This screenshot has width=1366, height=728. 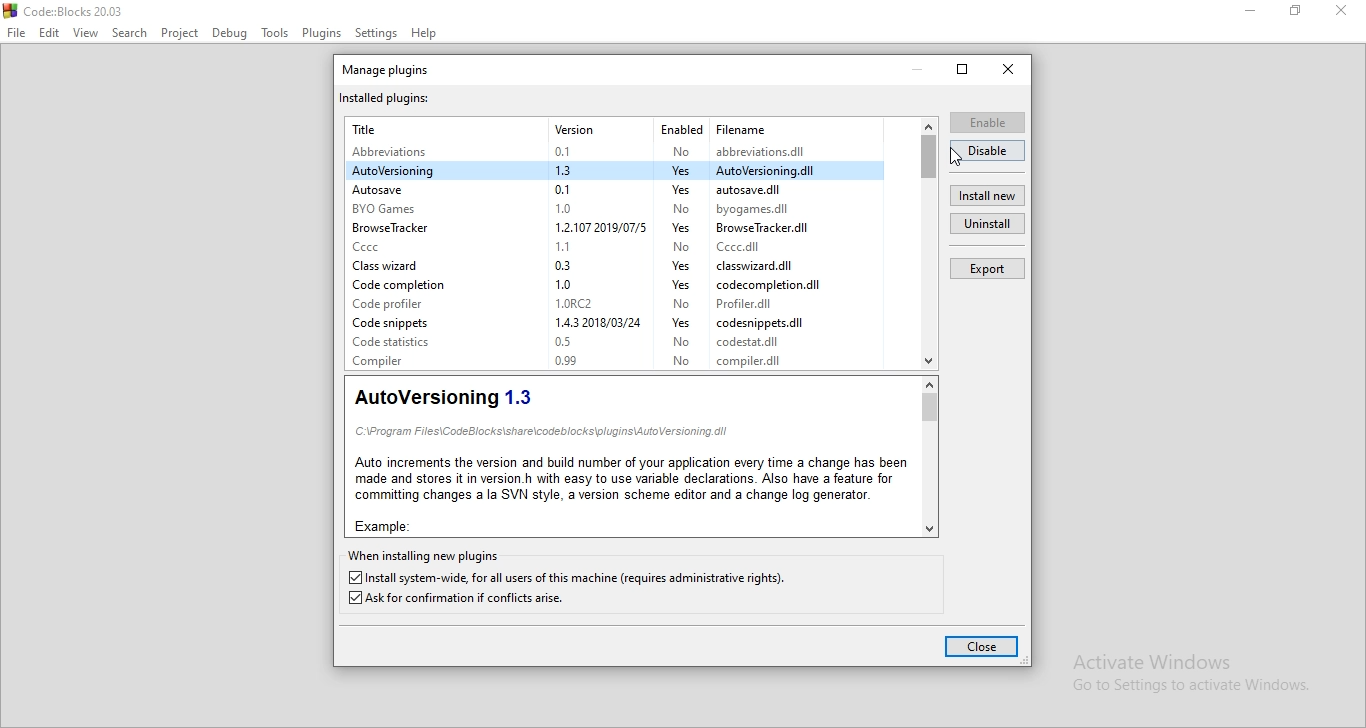 What do you see at coordinates (569, 149) in the screenshot?
I see `0.1` at bounding box center [569, 149].